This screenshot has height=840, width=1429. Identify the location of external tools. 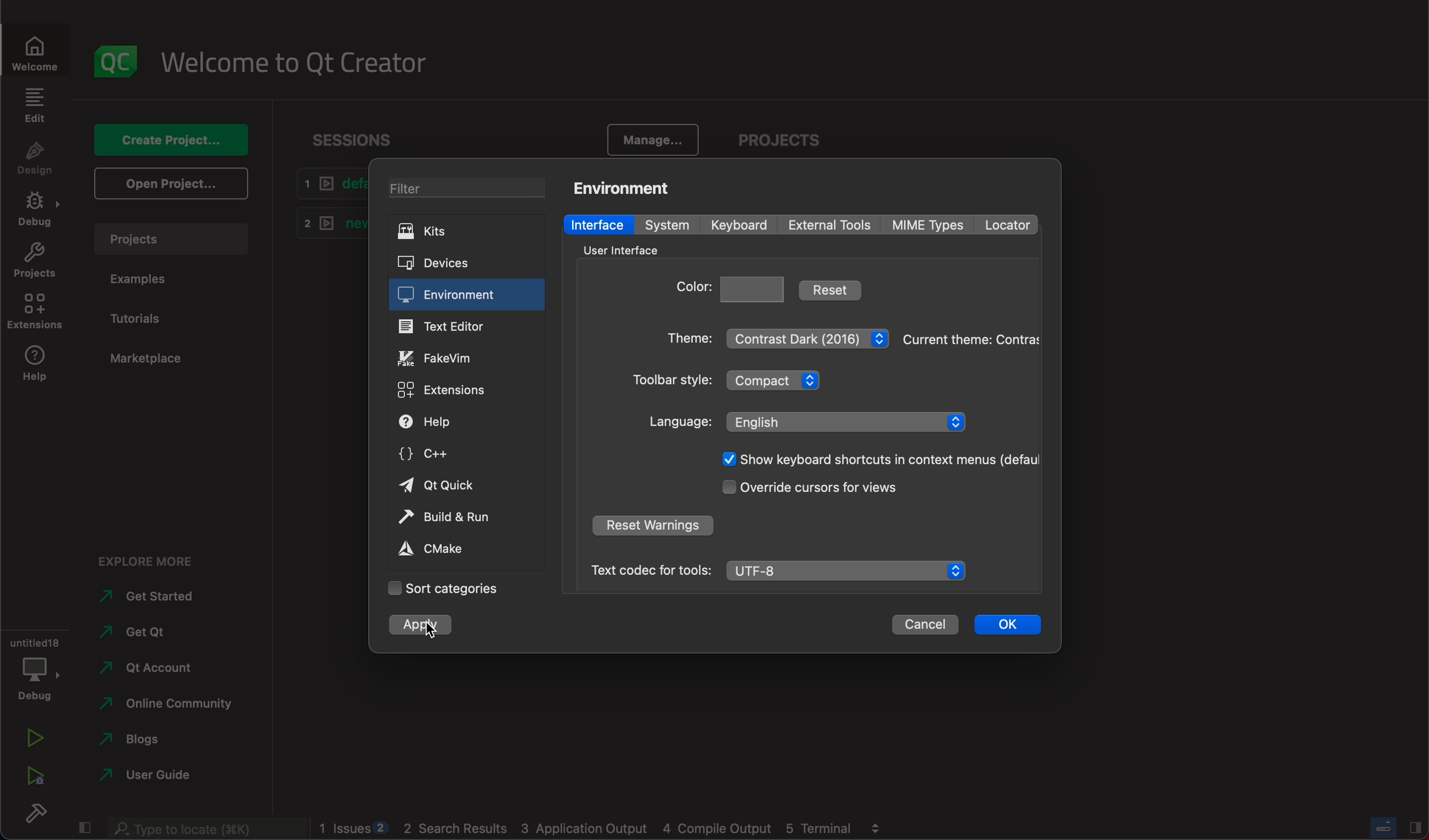
(830, 225).